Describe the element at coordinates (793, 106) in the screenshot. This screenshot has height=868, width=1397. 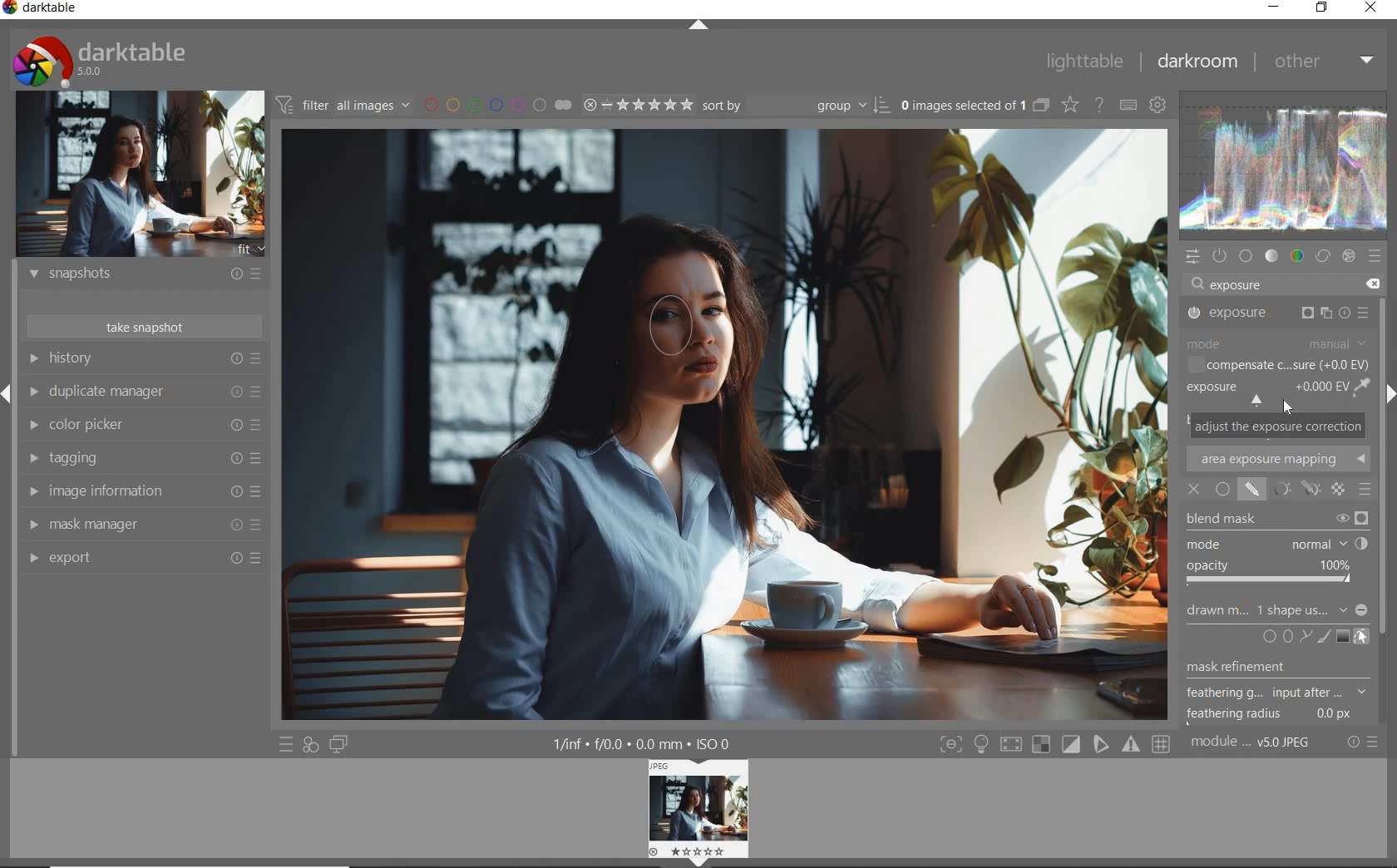
I see `sort` at that location.